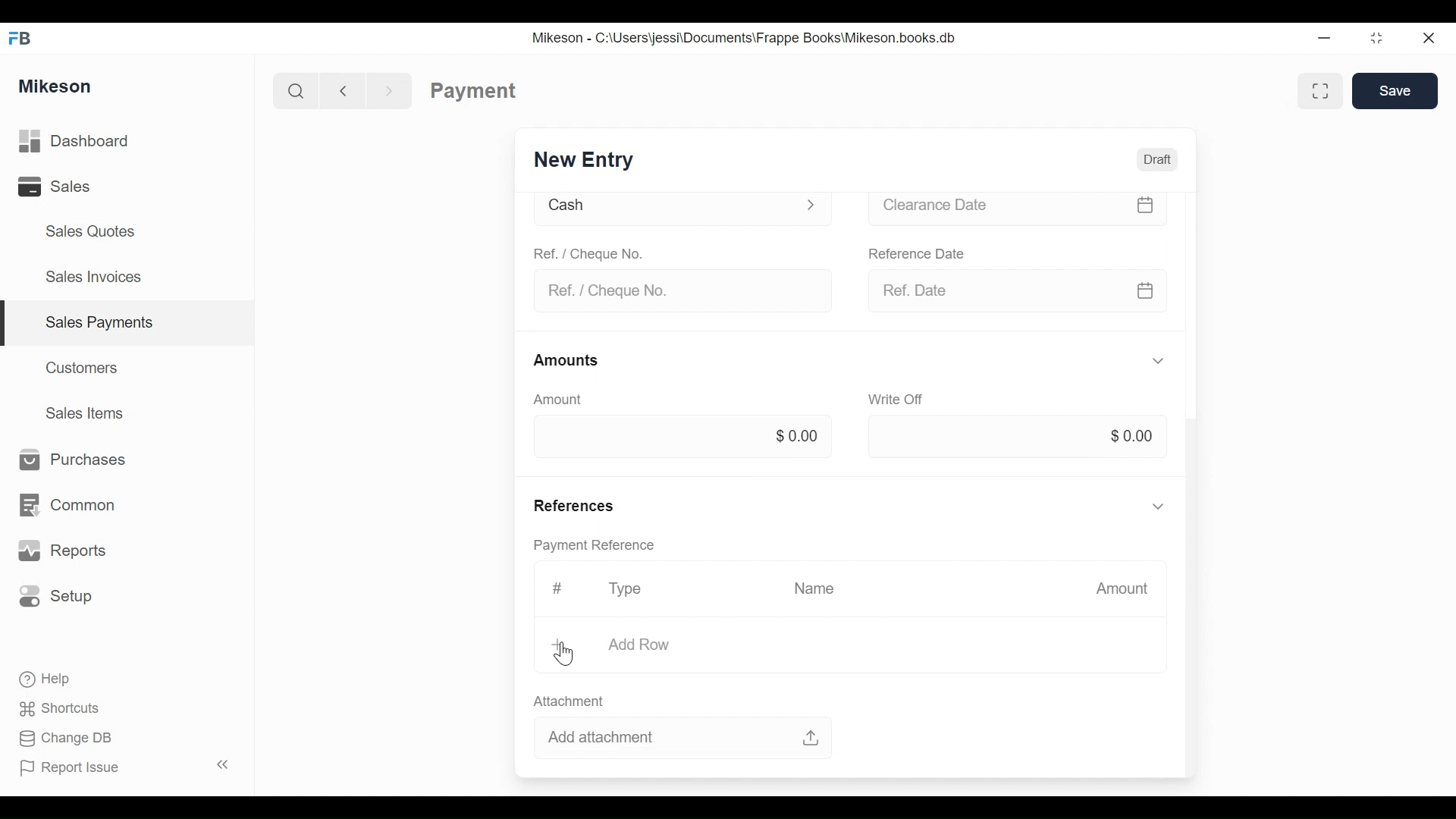 The width and height of the screenshot is (1456, 819). Describe the element at coordinates (818, 588) in the screenshot. I see `Name` at that location.